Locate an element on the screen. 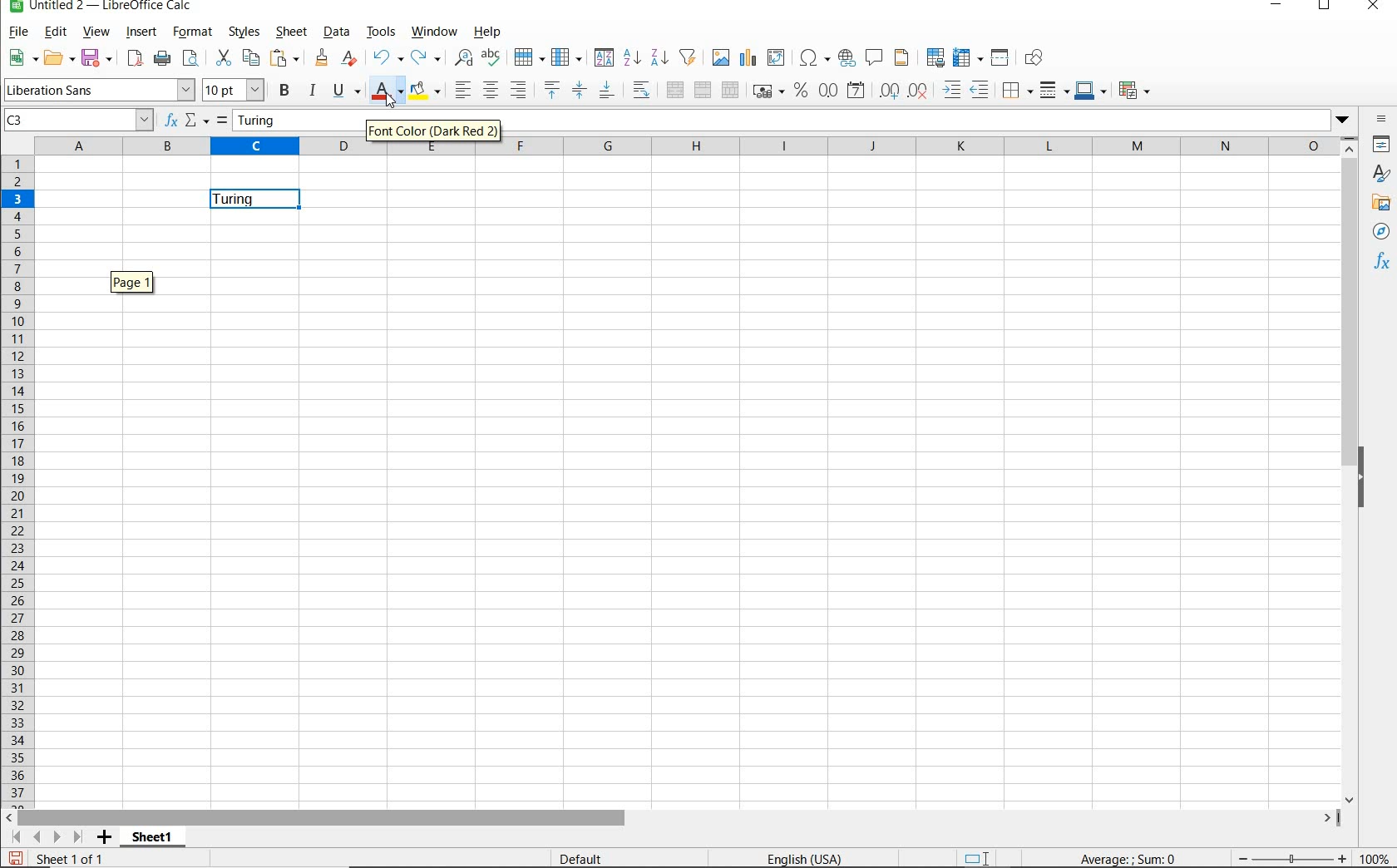 The height and width of the screenshot is (868, 1397). CLEAR DIRECT FORMATTING is located at coordinates (346, 57).